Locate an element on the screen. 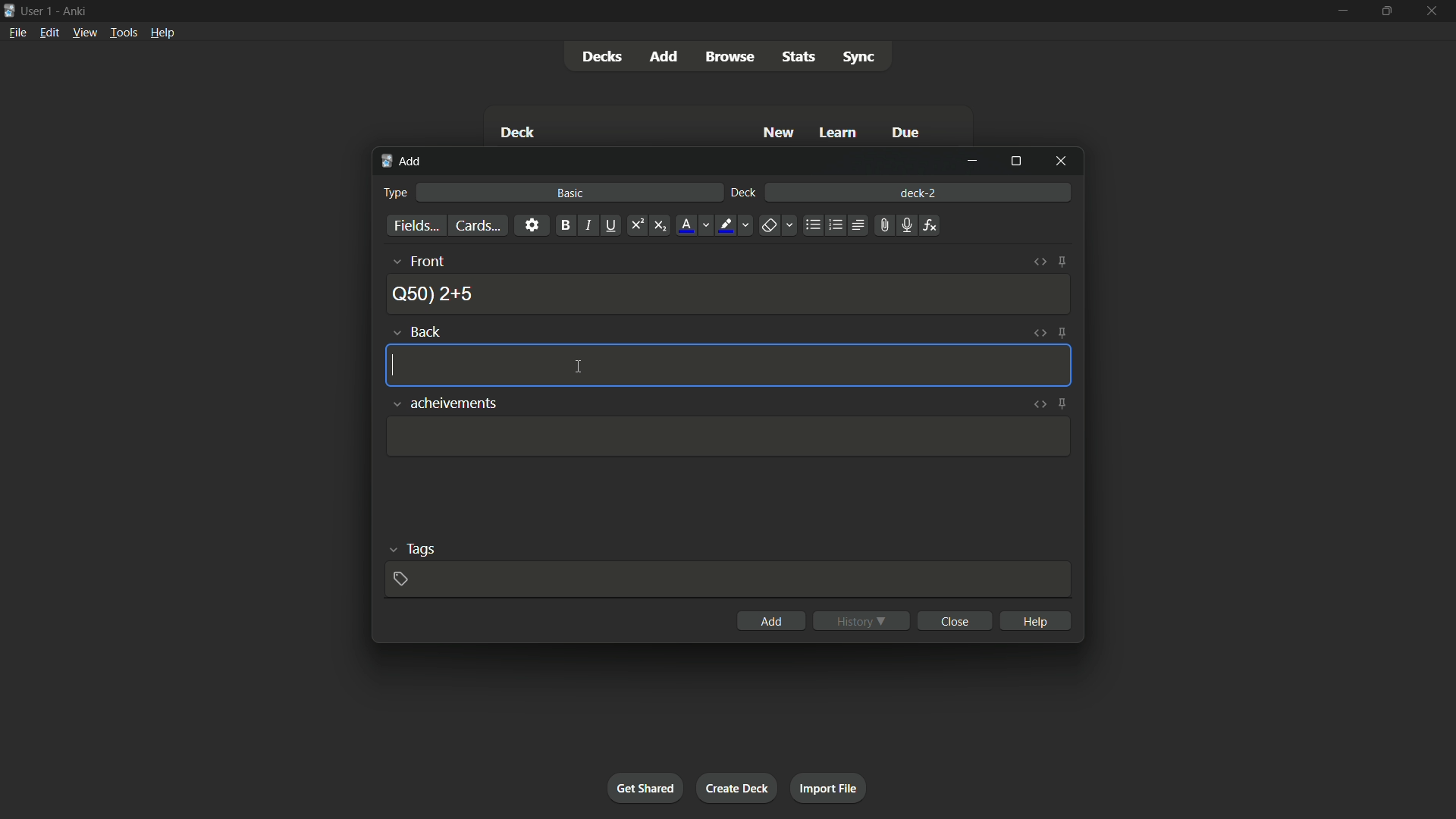 The height and width of the screenshot is (819, 1456). create deck is located at coordinates (738, 787).